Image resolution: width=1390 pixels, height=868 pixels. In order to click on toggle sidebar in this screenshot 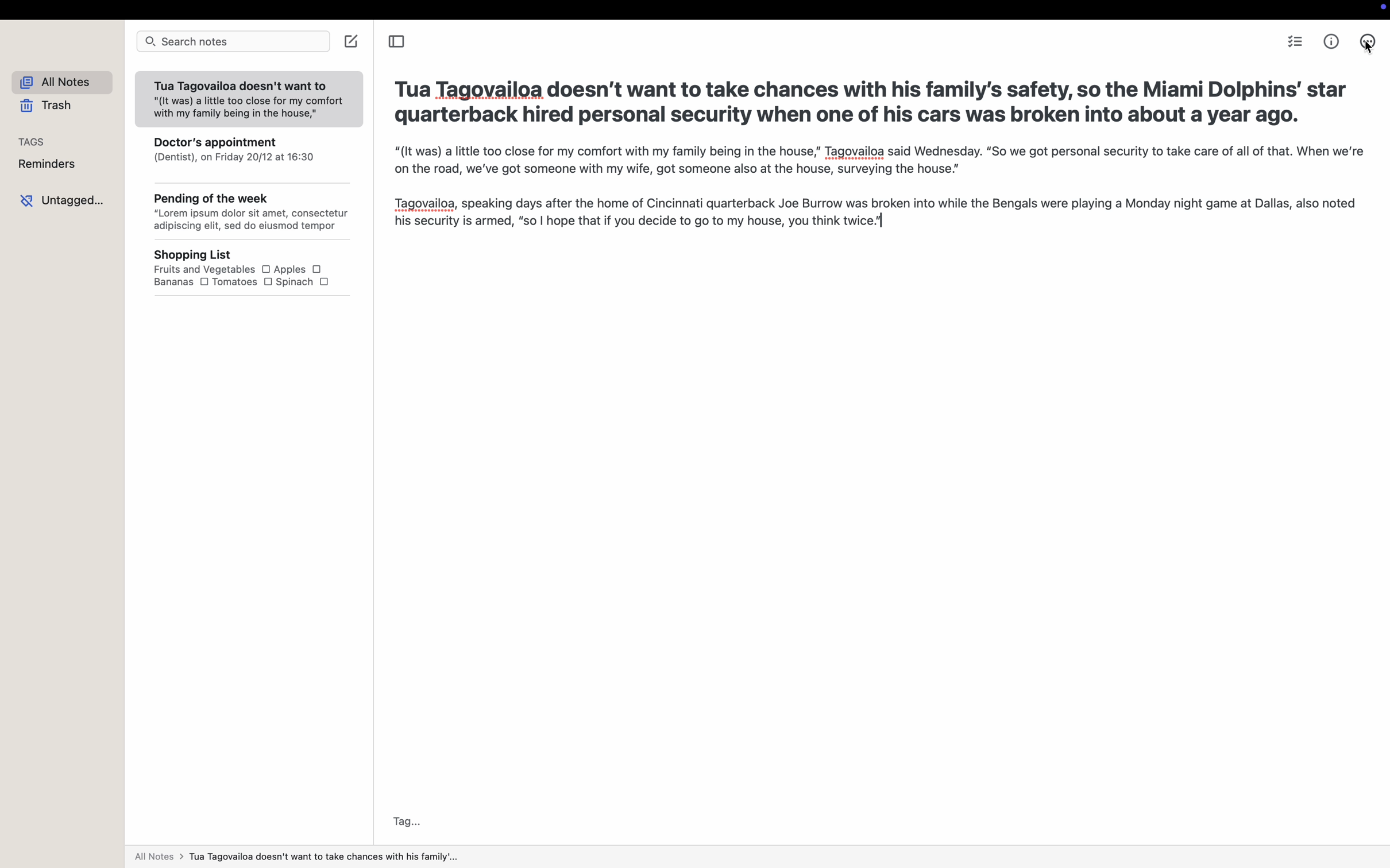, I will do `click(395, 43)`.